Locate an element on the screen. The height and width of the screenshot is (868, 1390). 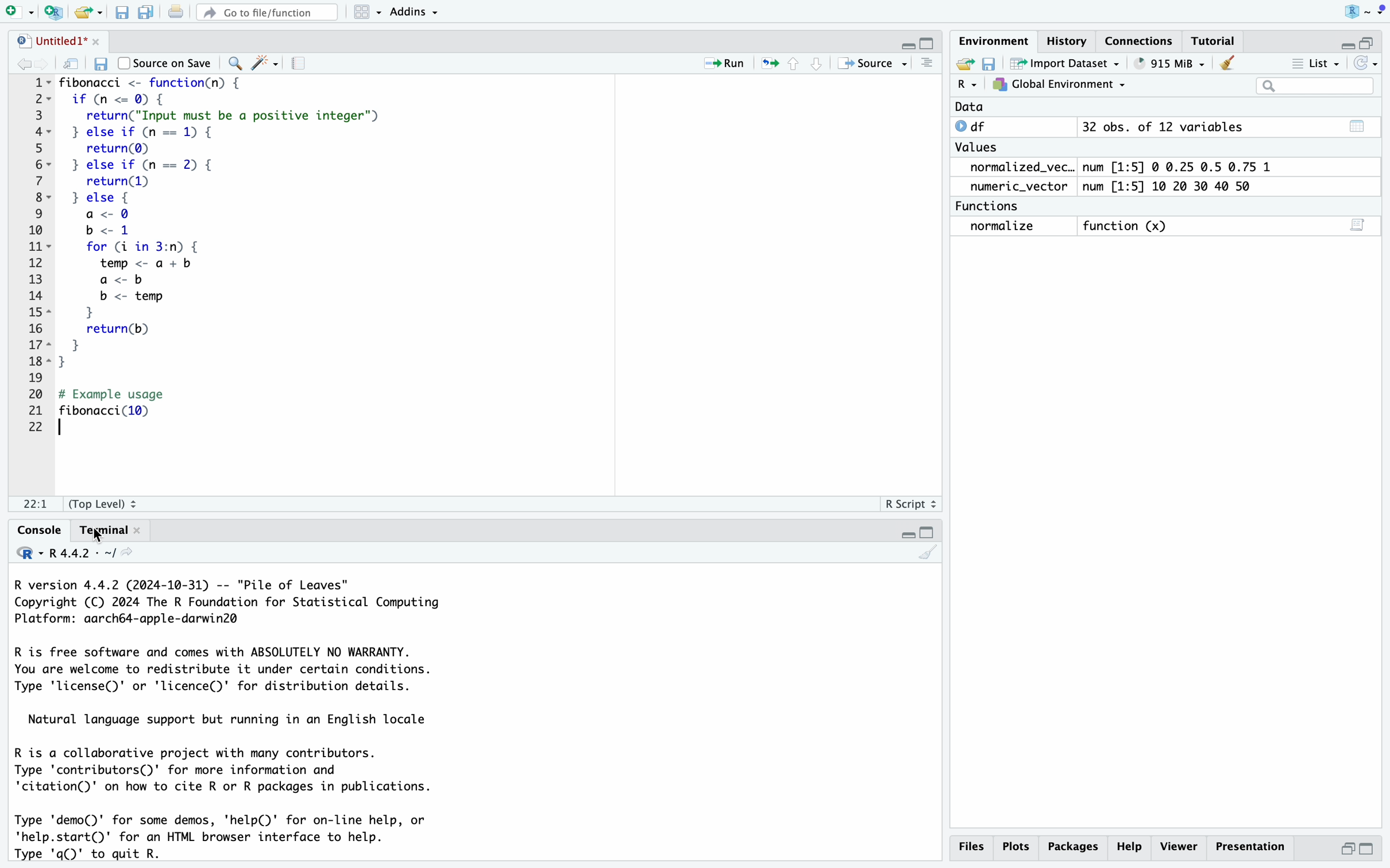
search field is located at coordinates (1319, 86).